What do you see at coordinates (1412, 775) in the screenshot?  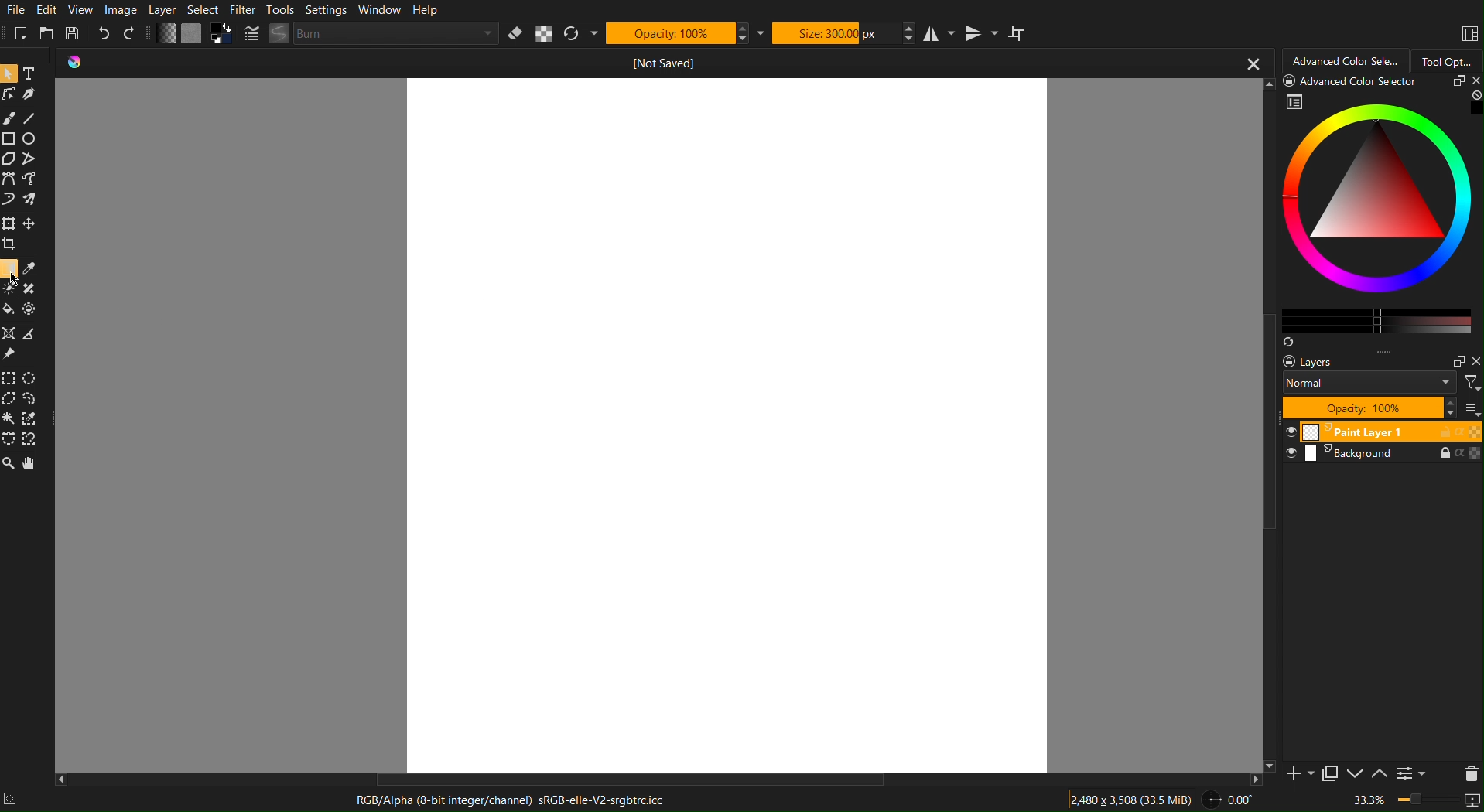 I see `Settings` at bounding box center [1412, 775].